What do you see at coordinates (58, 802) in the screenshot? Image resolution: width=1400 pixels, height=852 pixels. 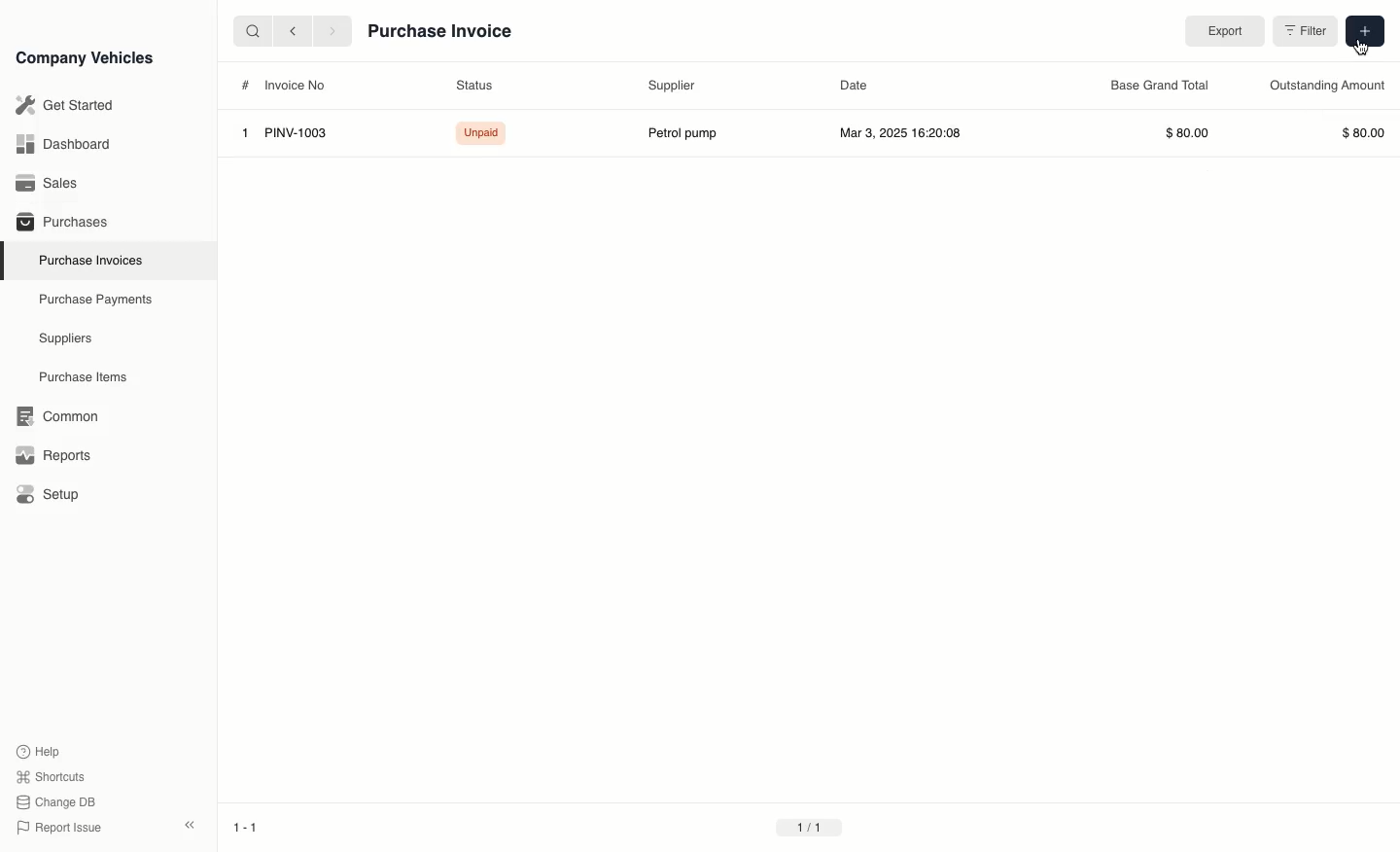 I see `change DB` at bounding box center [58, 802].